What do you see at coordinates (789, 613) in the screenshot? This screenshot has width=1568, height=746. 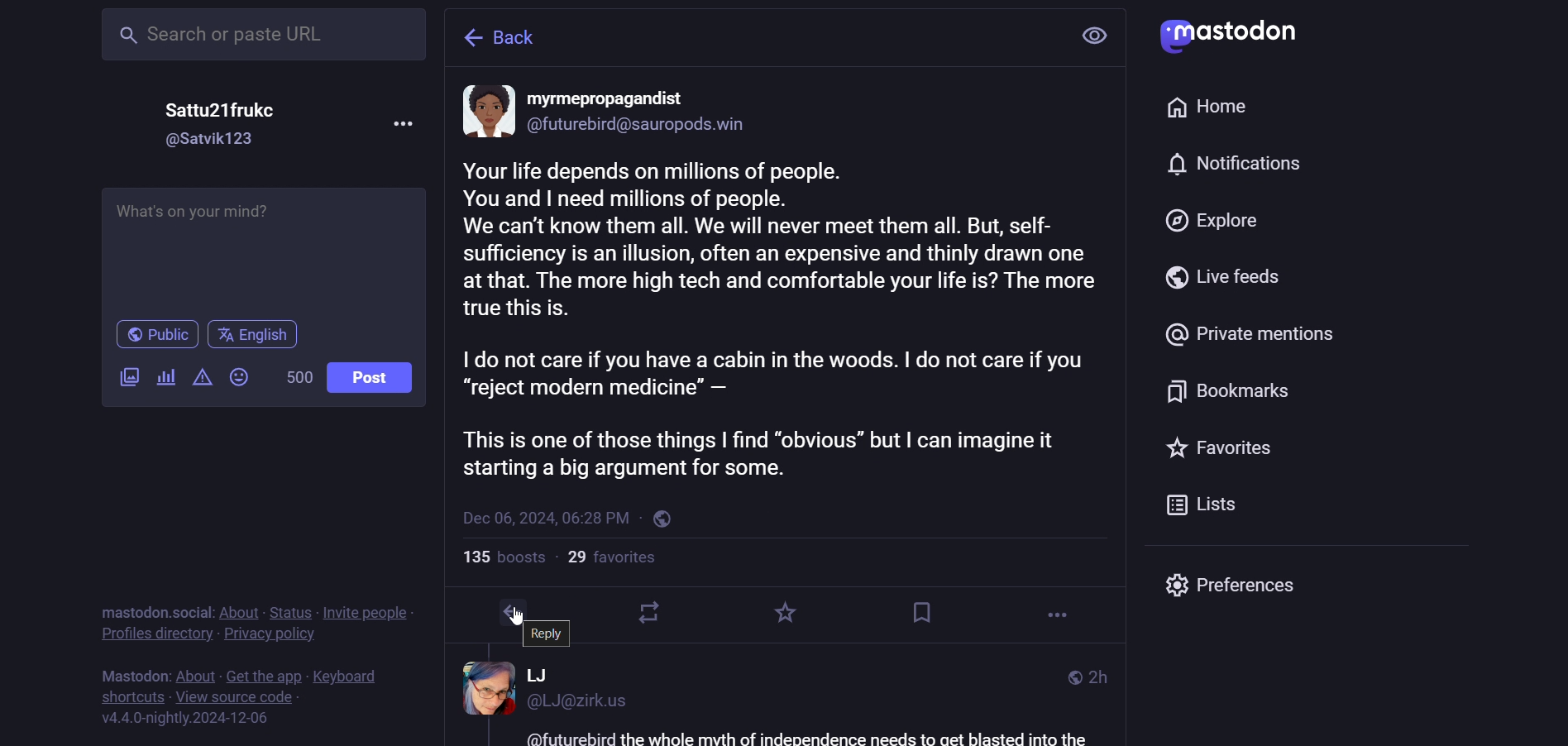 I see `favorite` at bounding box center [789, 613].